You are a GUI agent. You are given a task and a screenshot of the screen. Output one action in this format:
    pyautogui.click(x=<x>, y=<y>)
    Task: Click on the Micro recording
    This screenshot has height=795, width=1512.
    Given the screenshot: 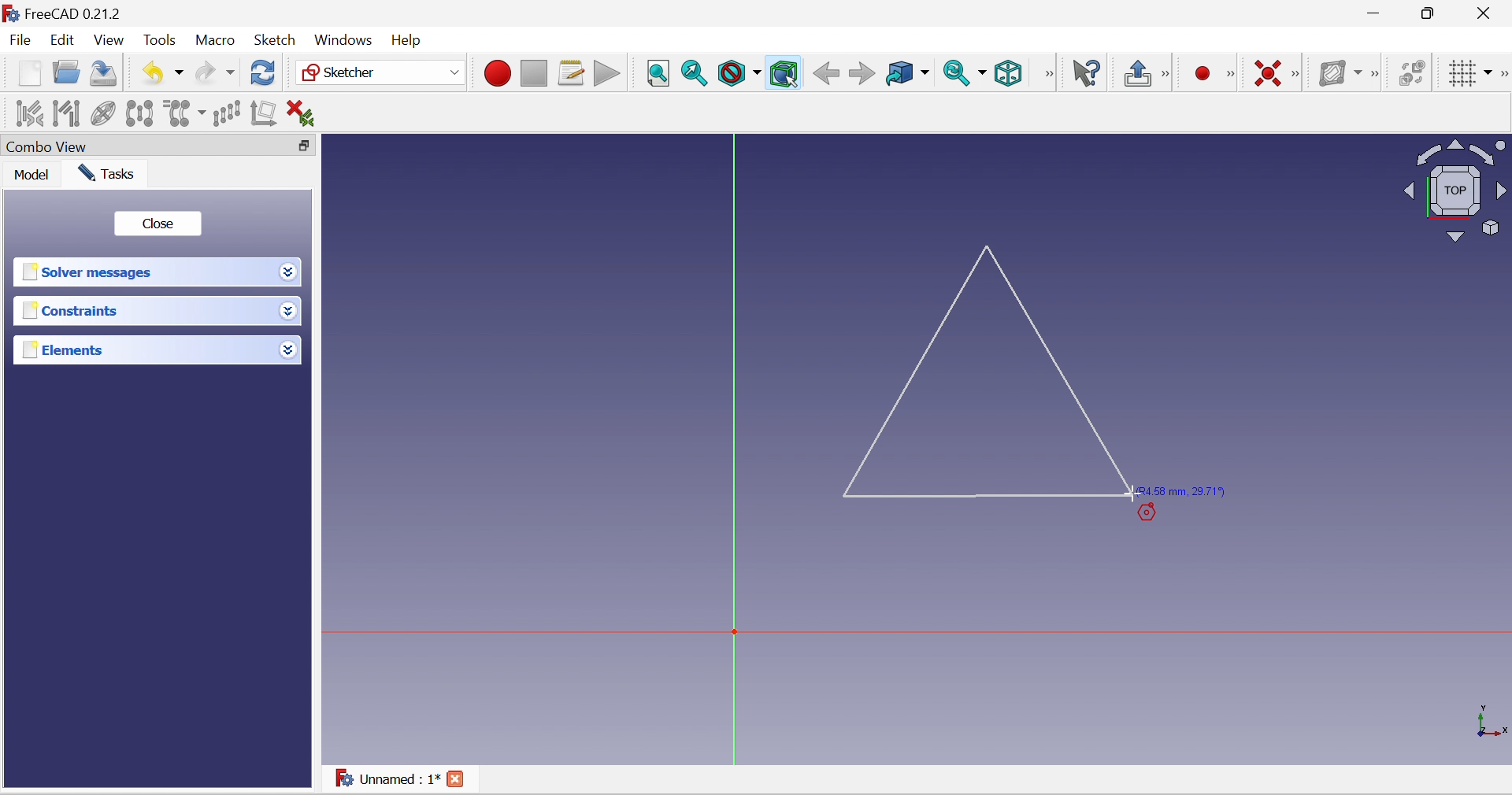 What is the action you would take?
    pyautogui.click(x=1203, y=75)
    